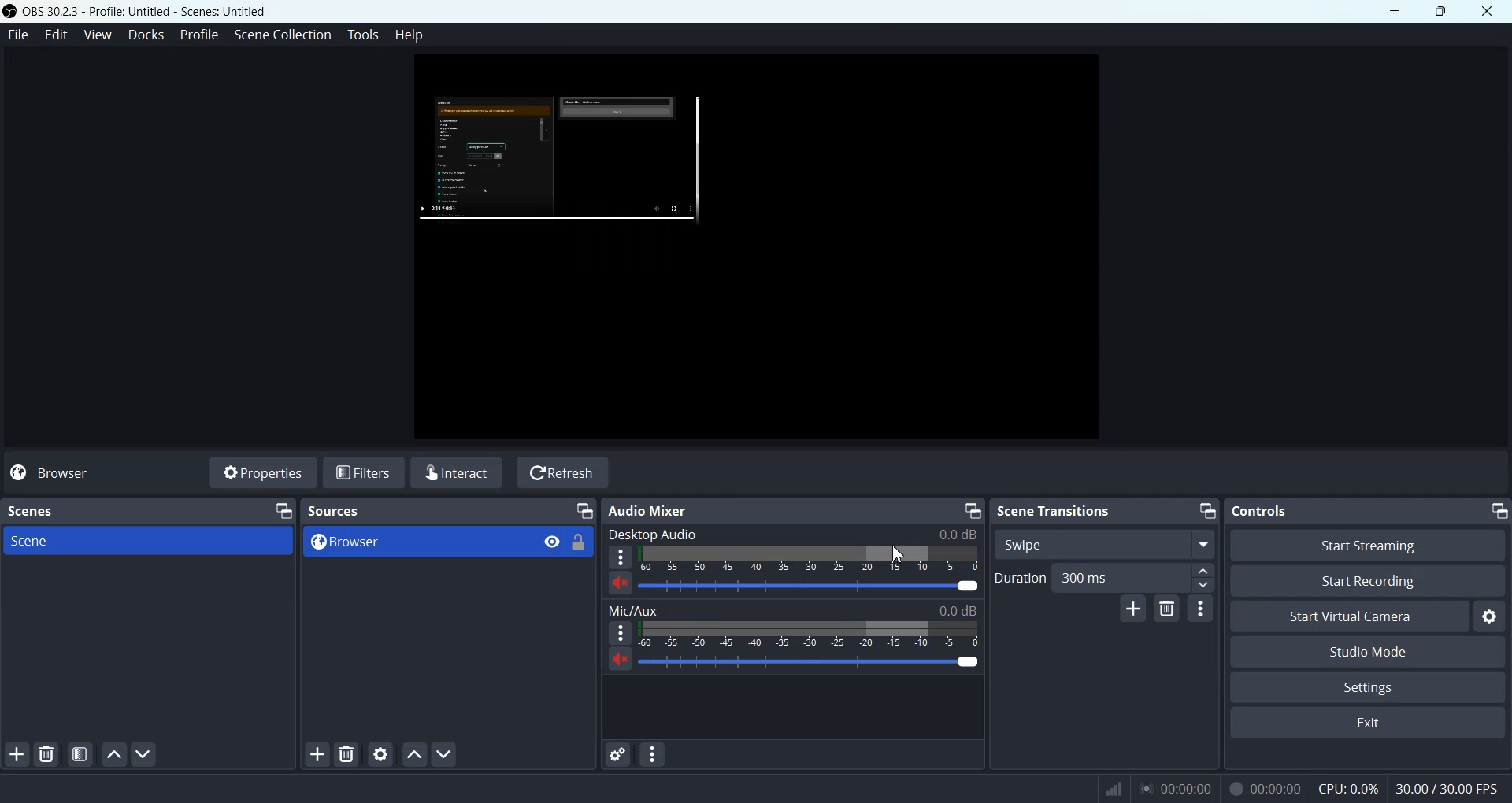  What do you see at coordinates (652, 753) in the screenshot?
I see `Audio mixer Menu` at bounding box center [652, 753].